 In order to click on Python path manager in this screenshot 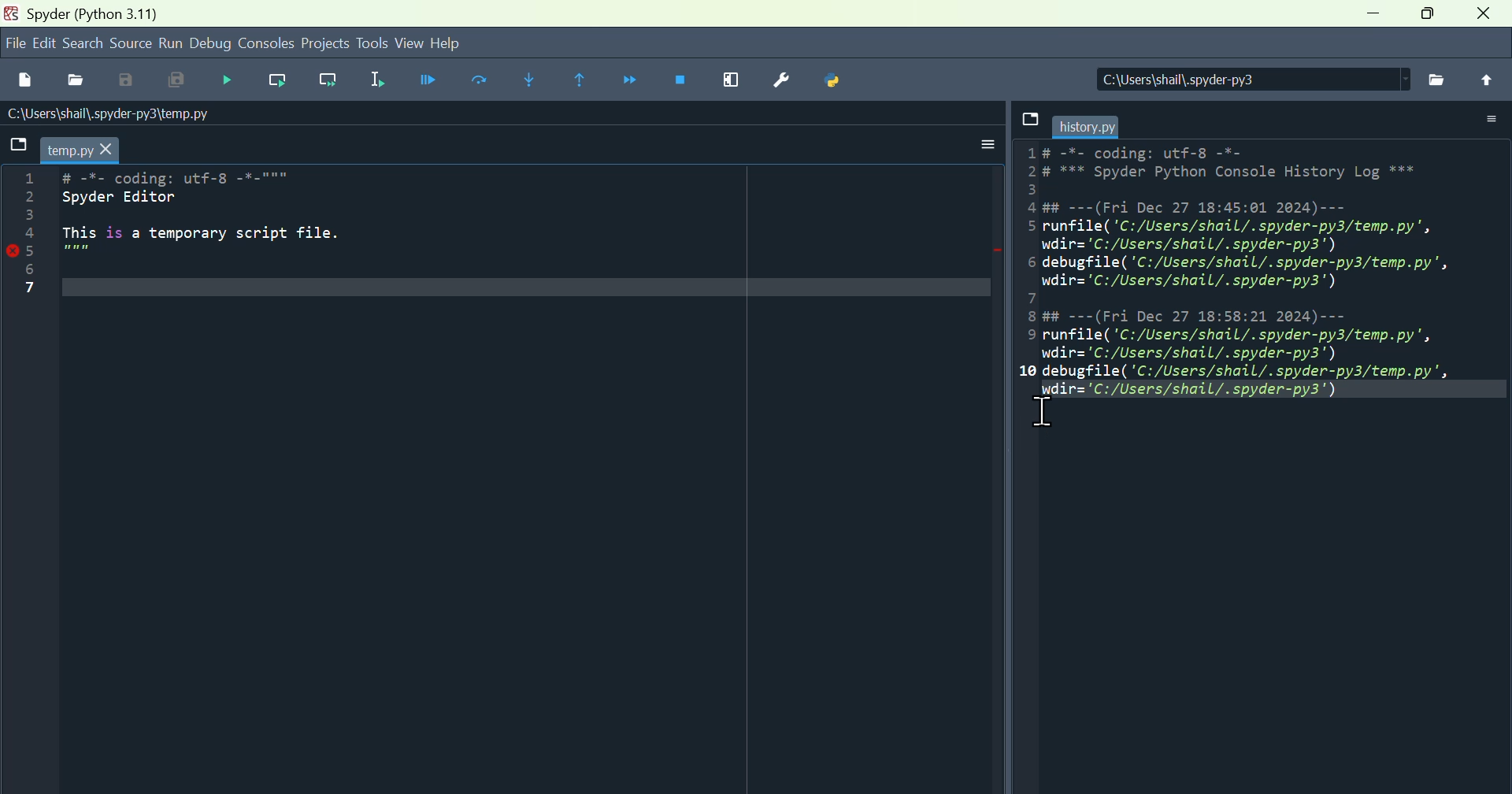, I will do `click(837, 80)`.